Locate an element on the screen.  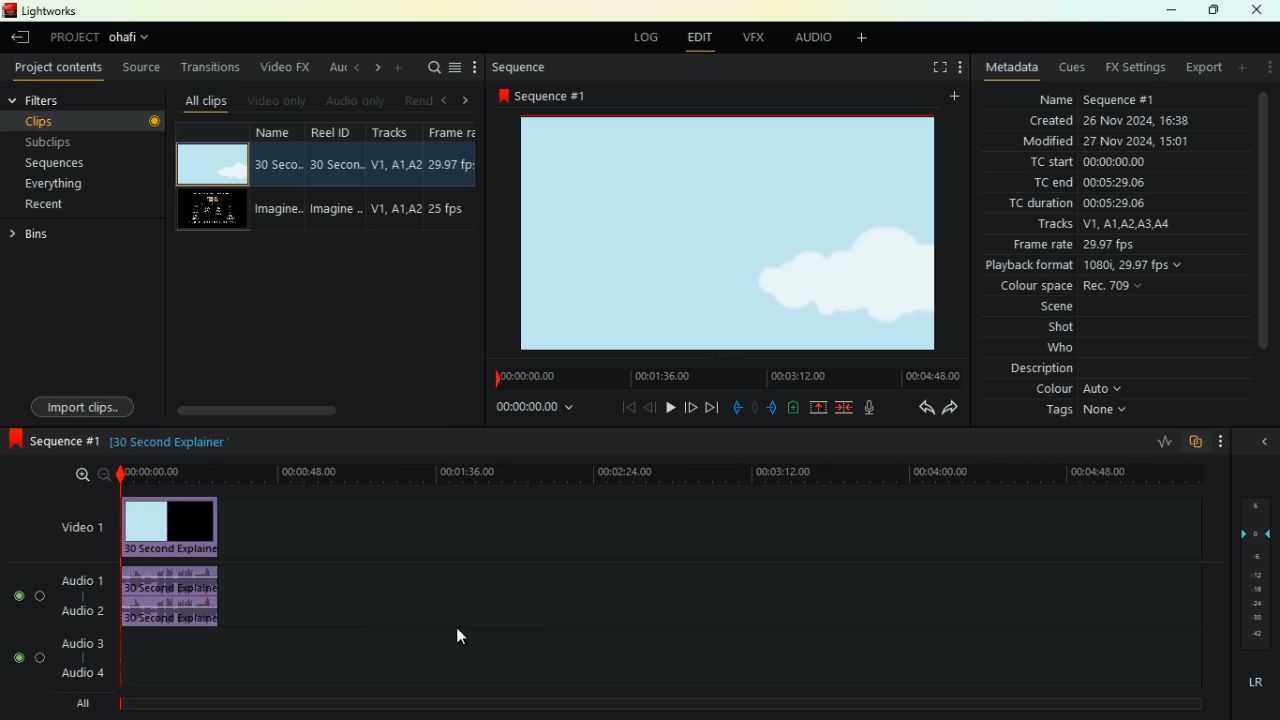
name sequence #1 is located at coordinates (1094, 98).